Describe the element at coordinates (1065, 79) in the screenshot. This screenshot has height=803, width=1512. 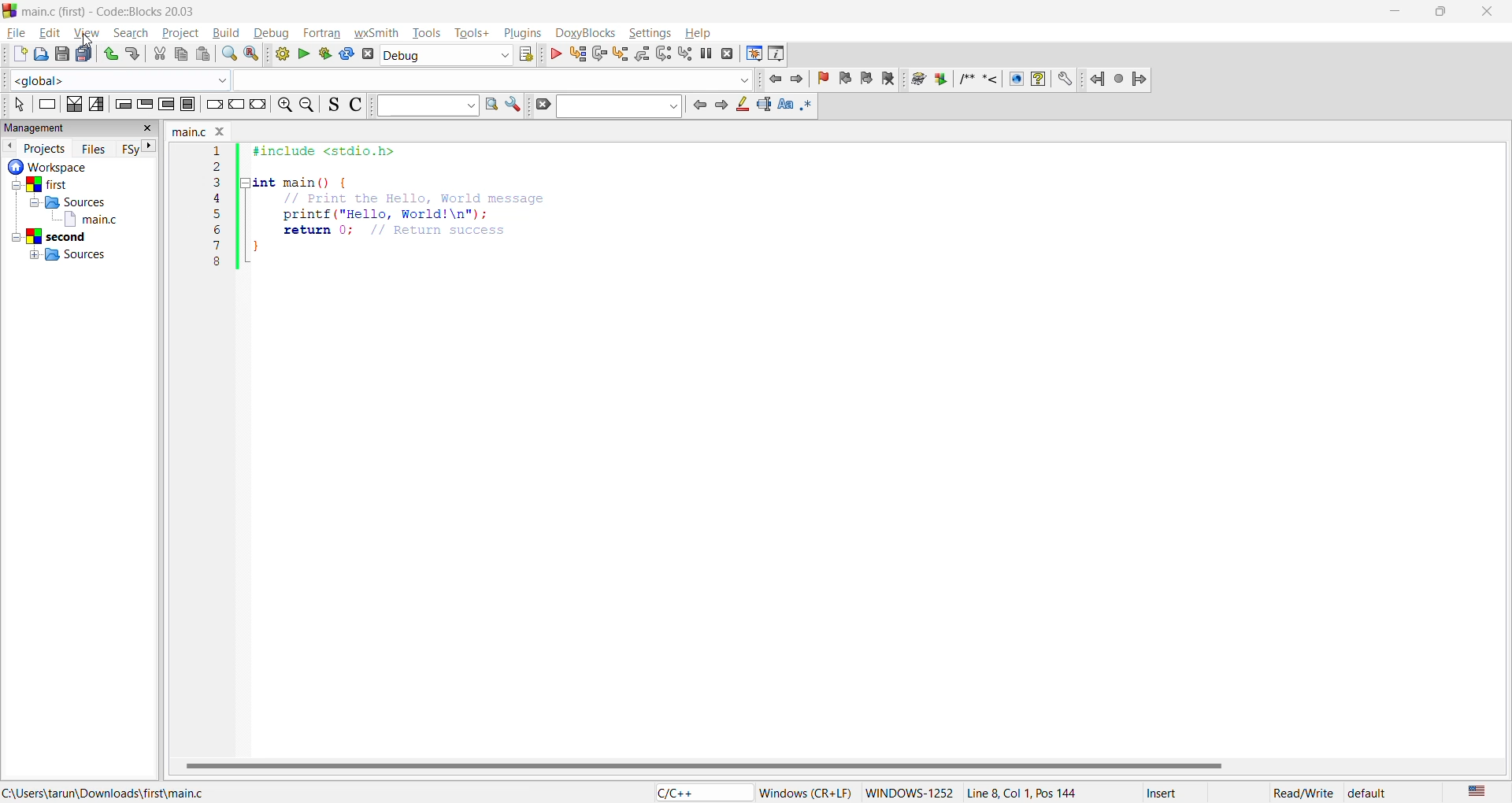
I see `settings` at that location.